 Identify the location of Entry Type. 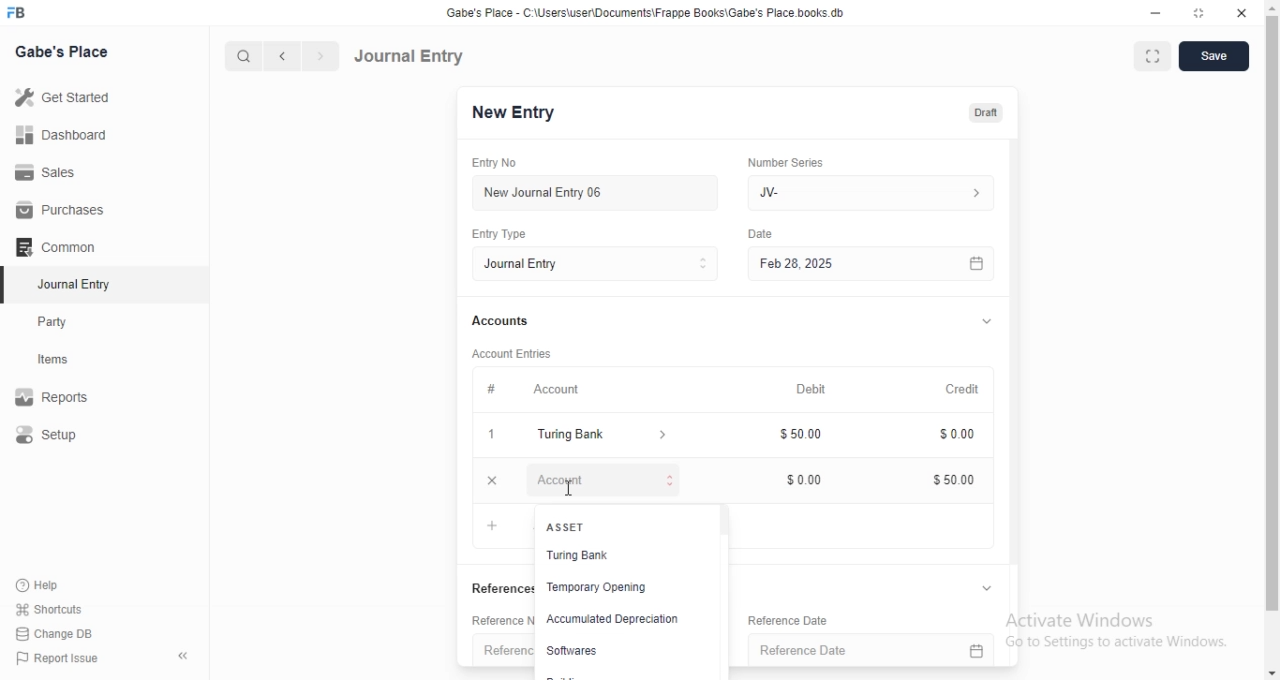
(514, 233).